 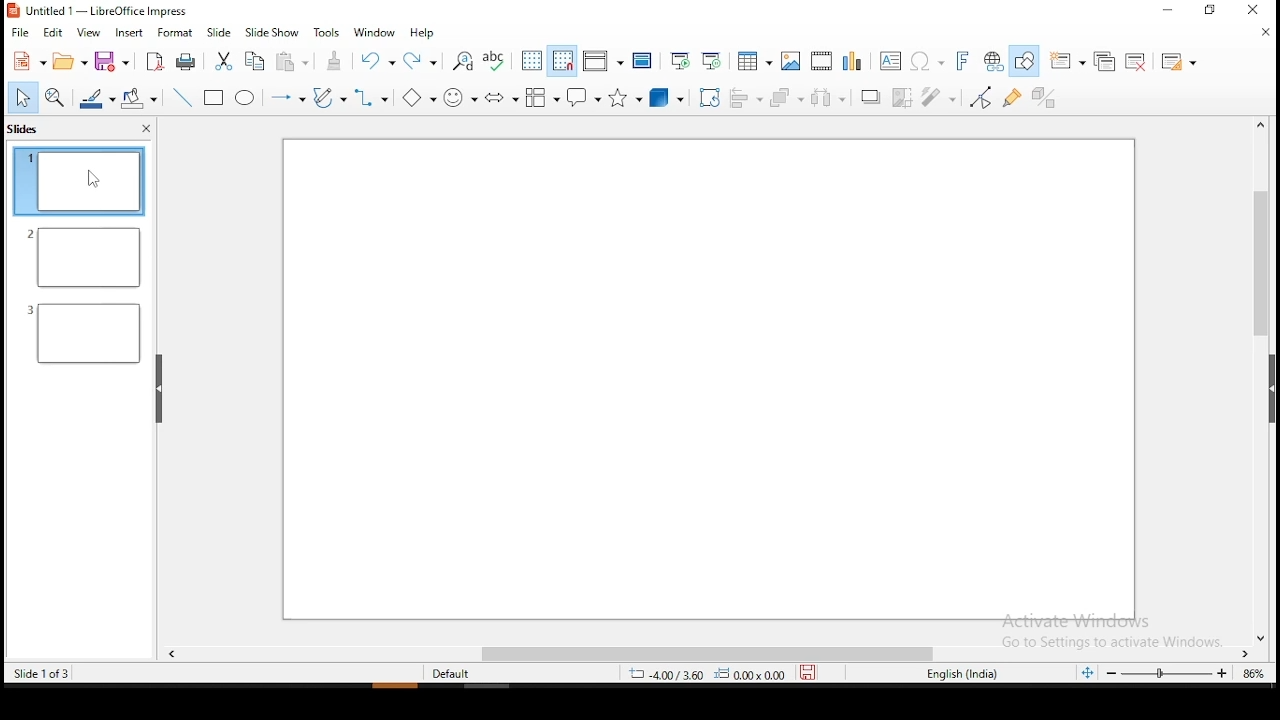 What do you see at coordinates (821, 60) in the screenshot?
I see `insert video` at bounding box center [821, 60].